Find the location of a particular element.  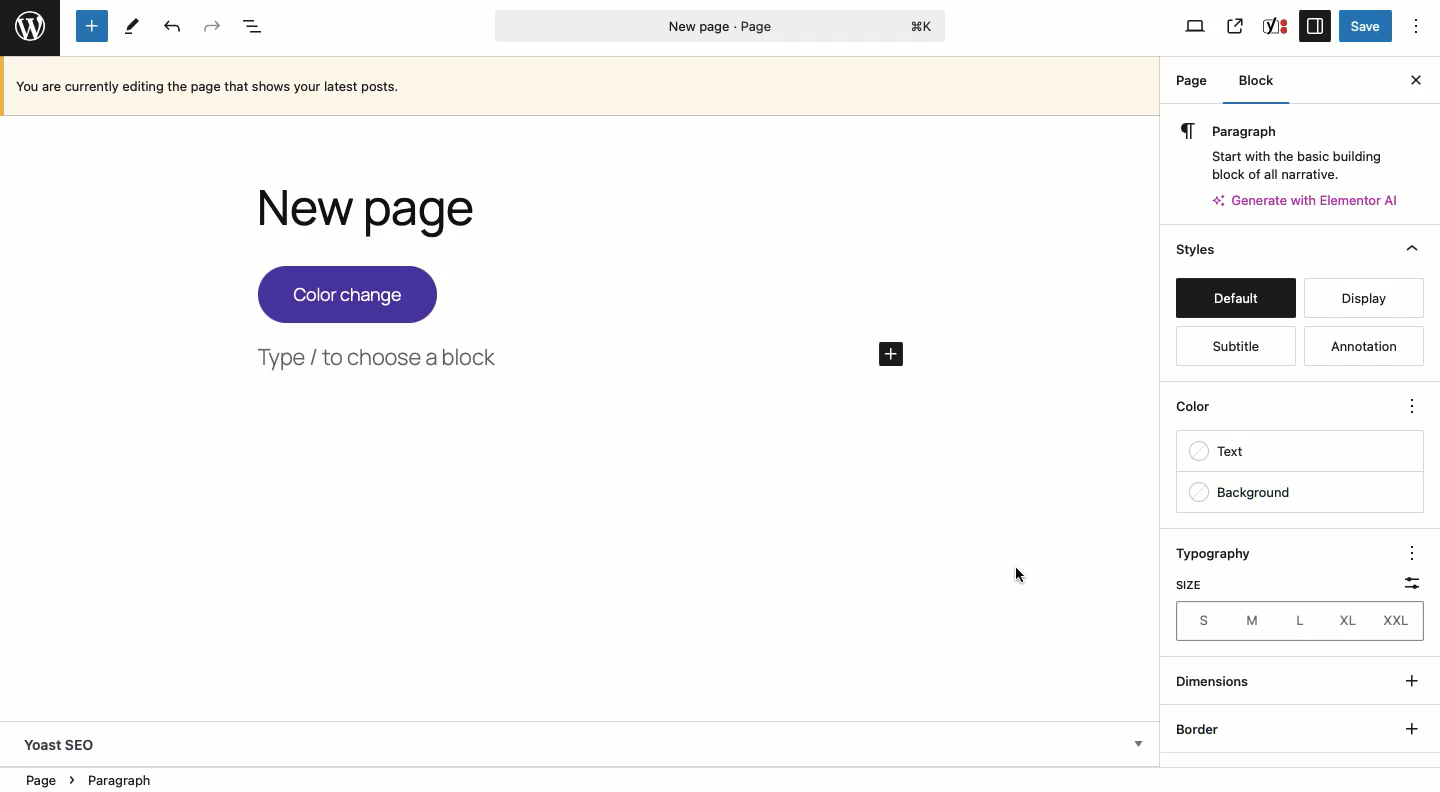

Annotation is located at coordinates (1366, 344).